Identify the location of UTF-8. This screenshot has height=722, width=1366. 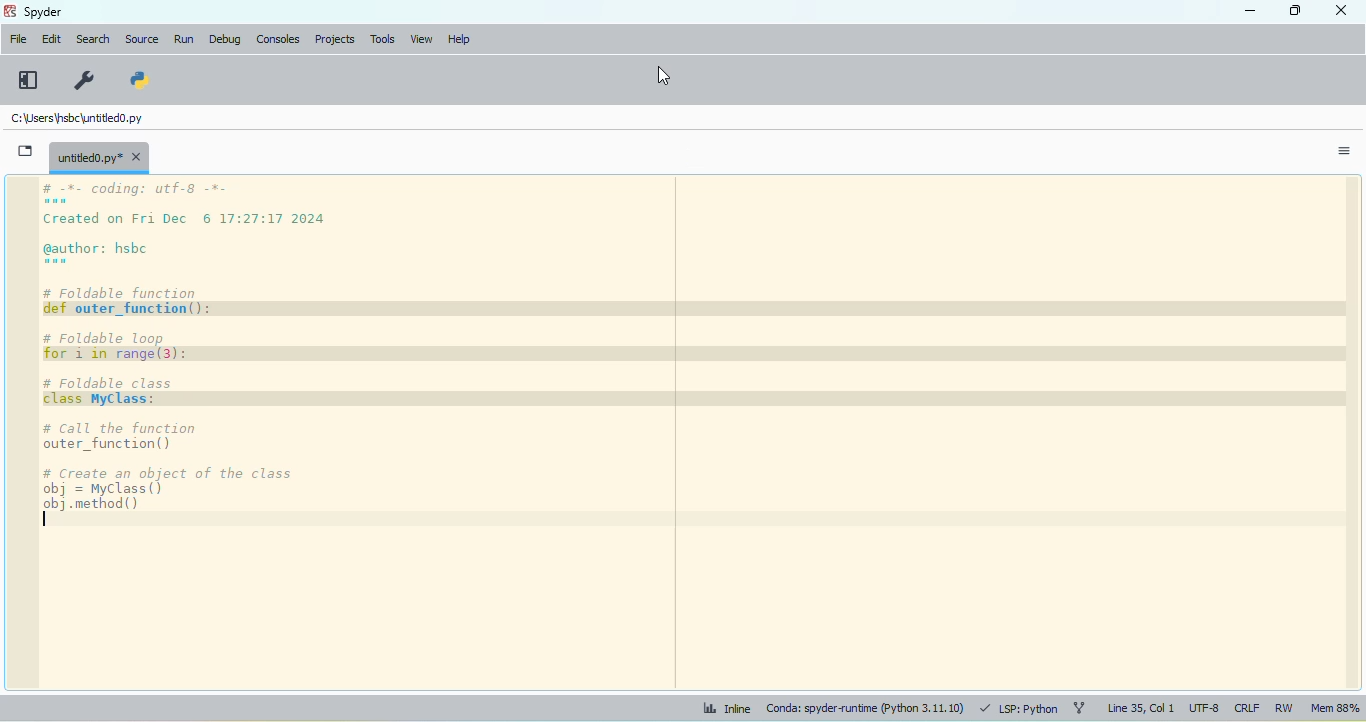
(1205, 709).